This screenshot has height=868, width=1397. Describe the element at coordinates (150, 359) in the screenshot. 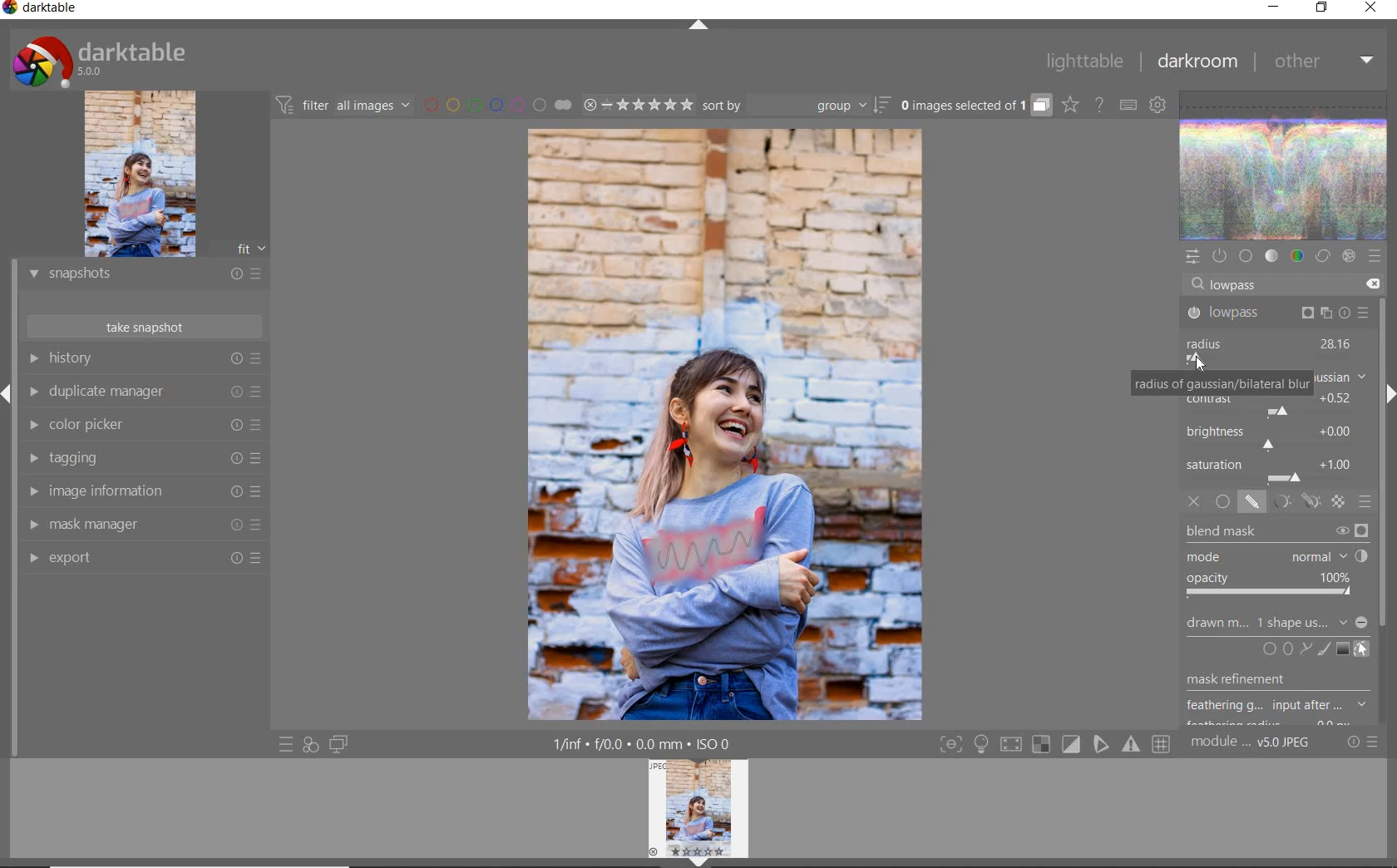

I see `history` at that location.